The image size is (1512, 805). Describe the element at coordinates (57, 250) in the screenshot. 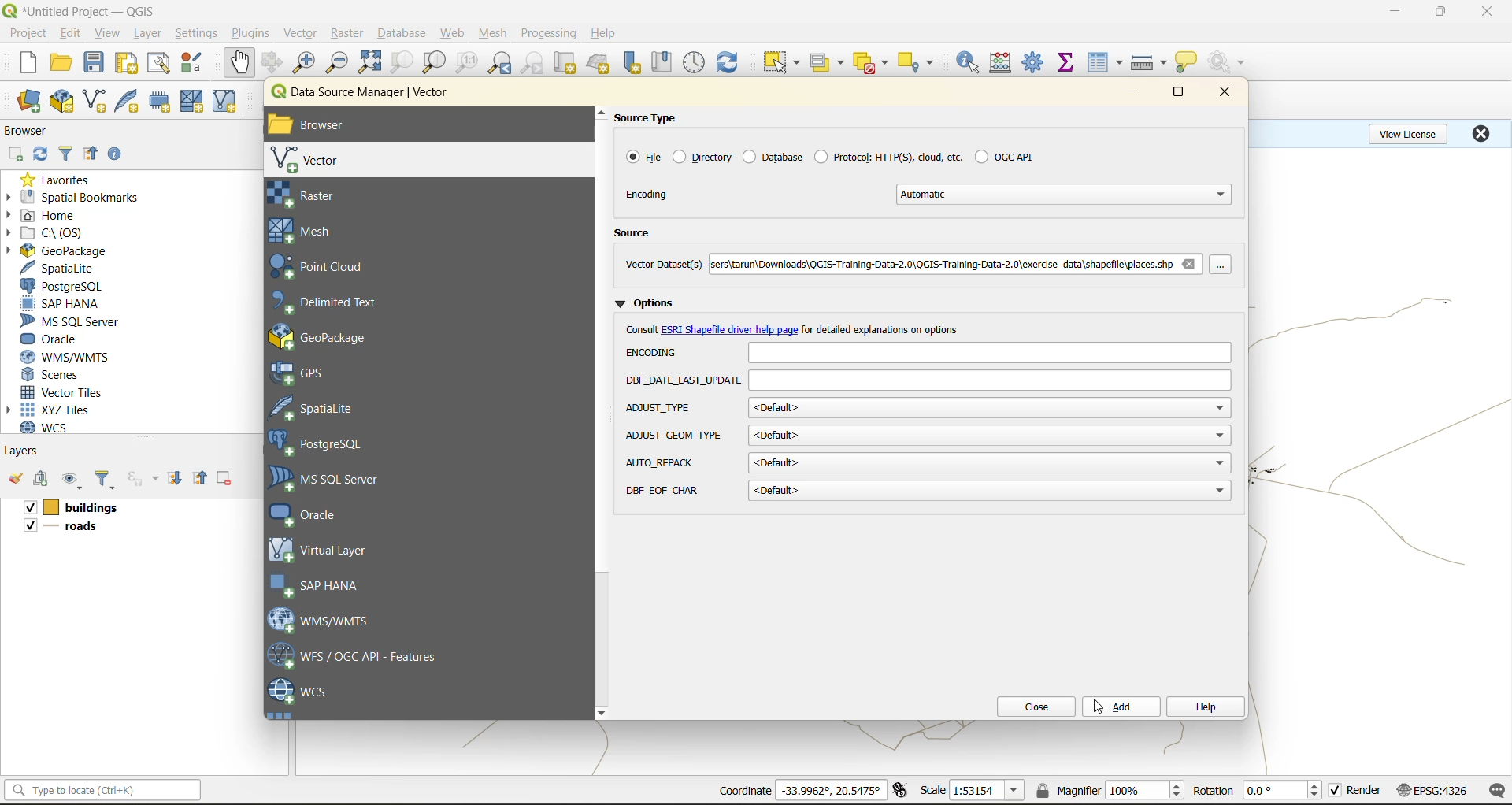

I see `geopackage` at that location.